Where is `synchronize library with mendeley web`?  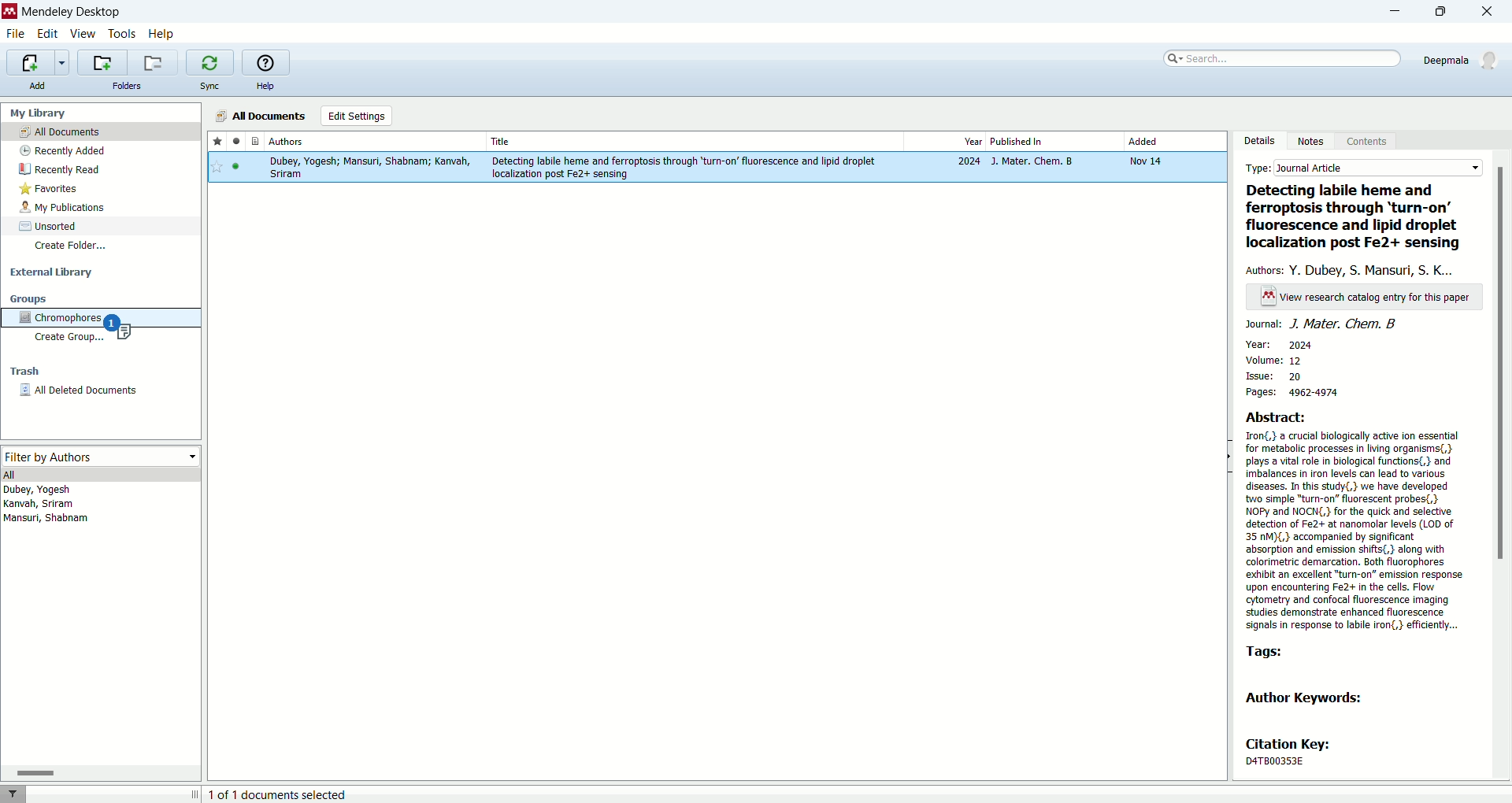
synchronize library with mendeley web is located at coordinates (209, 63).